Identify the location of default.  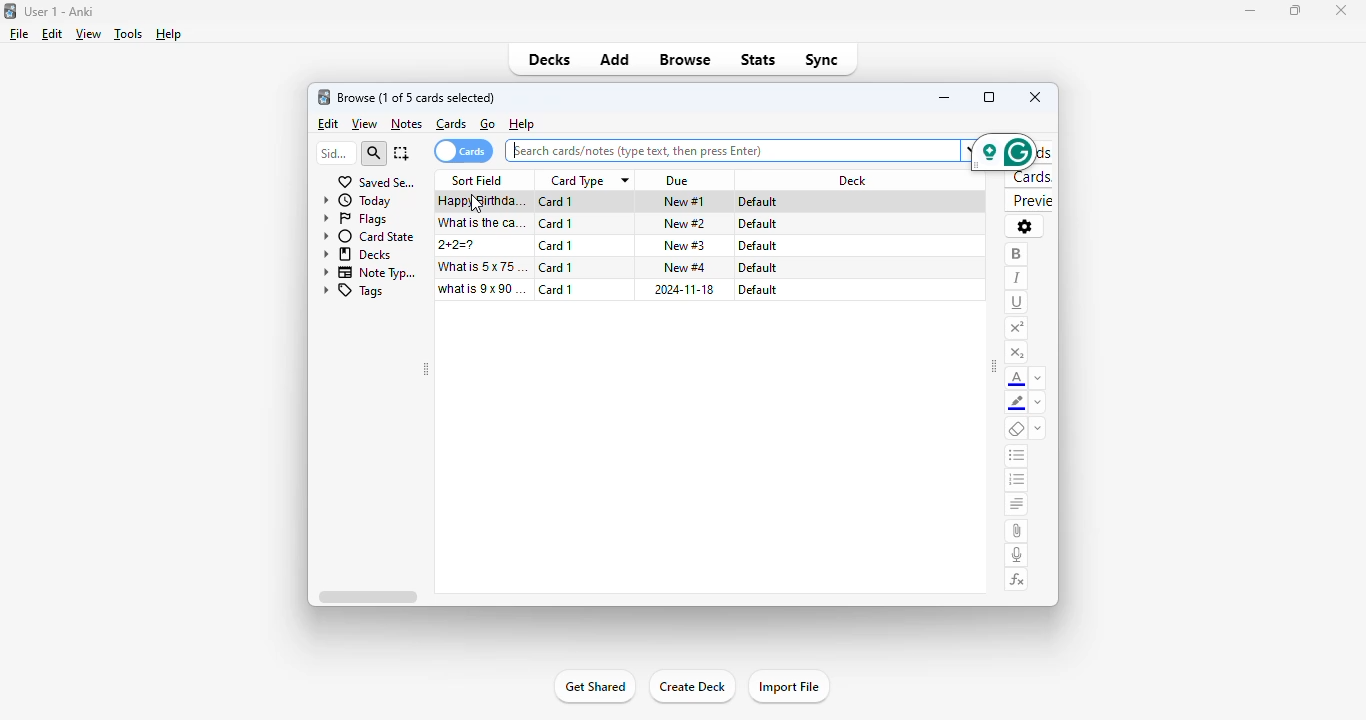
(757, 224).